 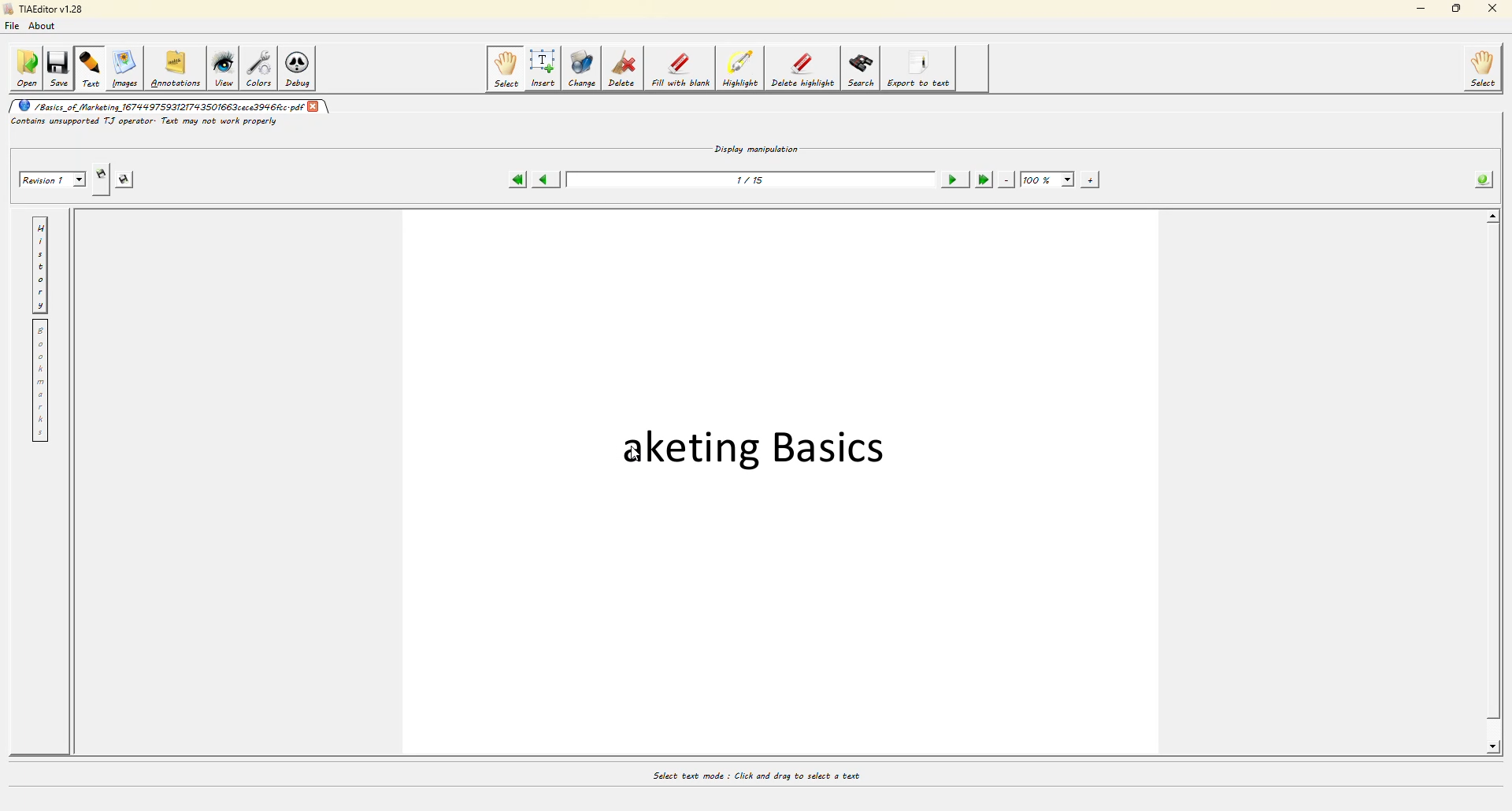 I want to click on 100%, so click(x=1047, y=179).